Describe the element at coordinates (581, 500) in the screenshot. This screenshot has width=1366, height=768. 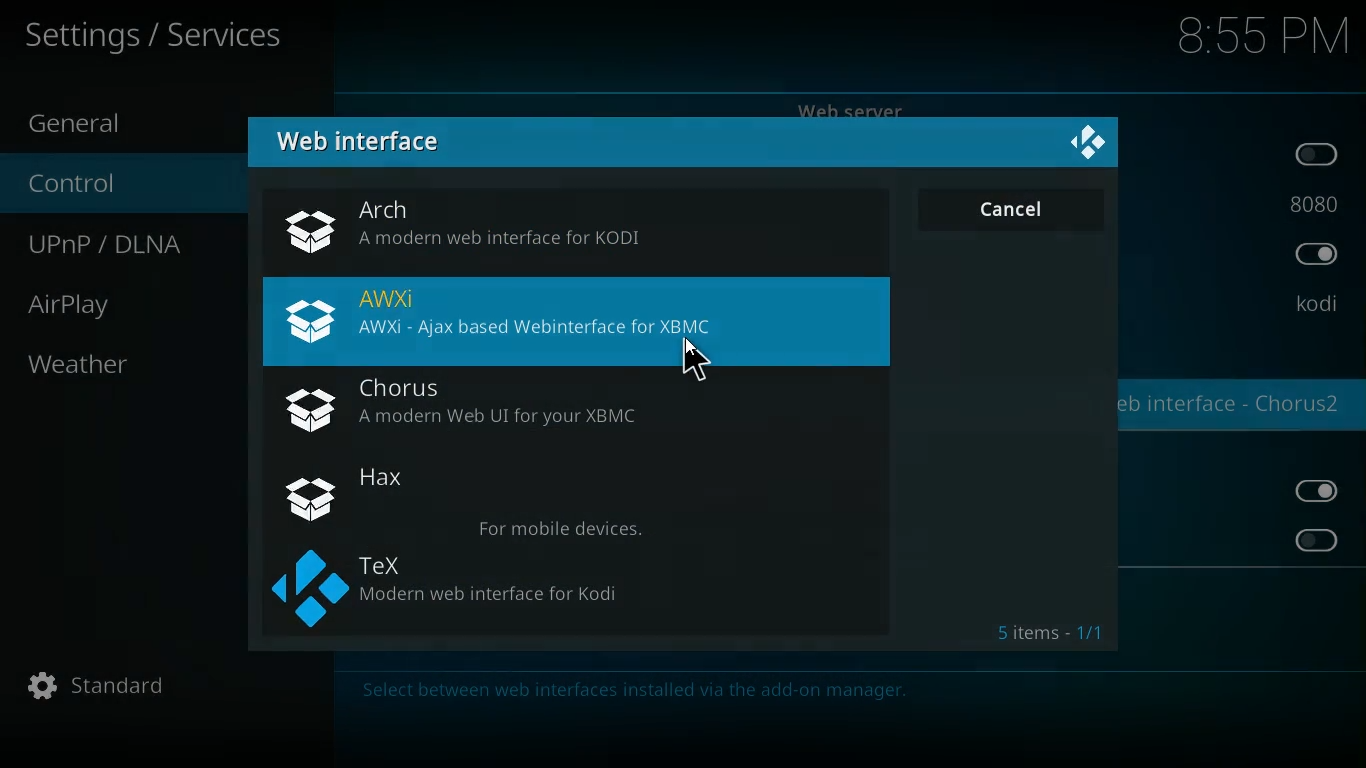
I see `hax` at that location.